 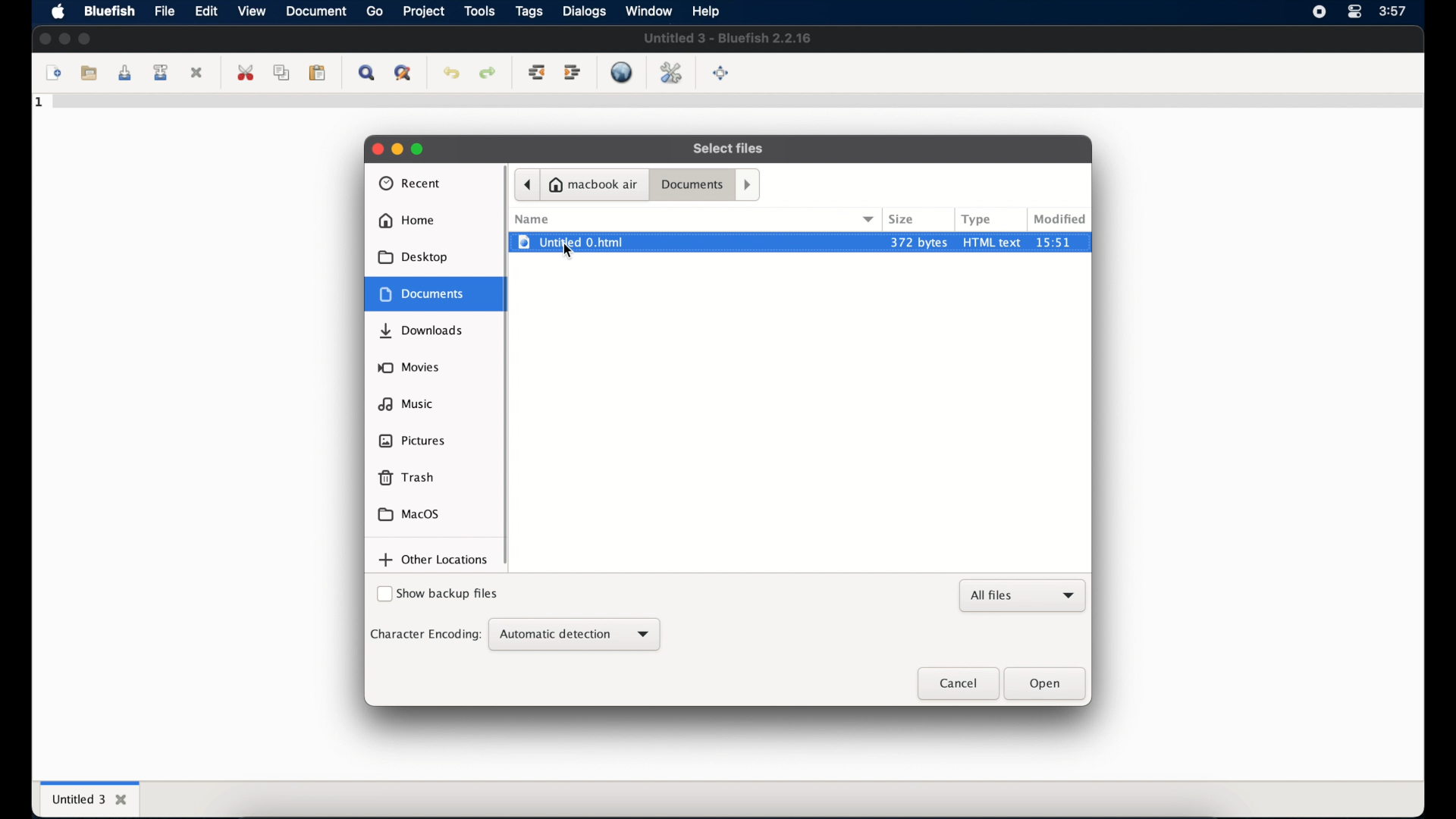 I want to click on desktop, so click(x=414, y=257).